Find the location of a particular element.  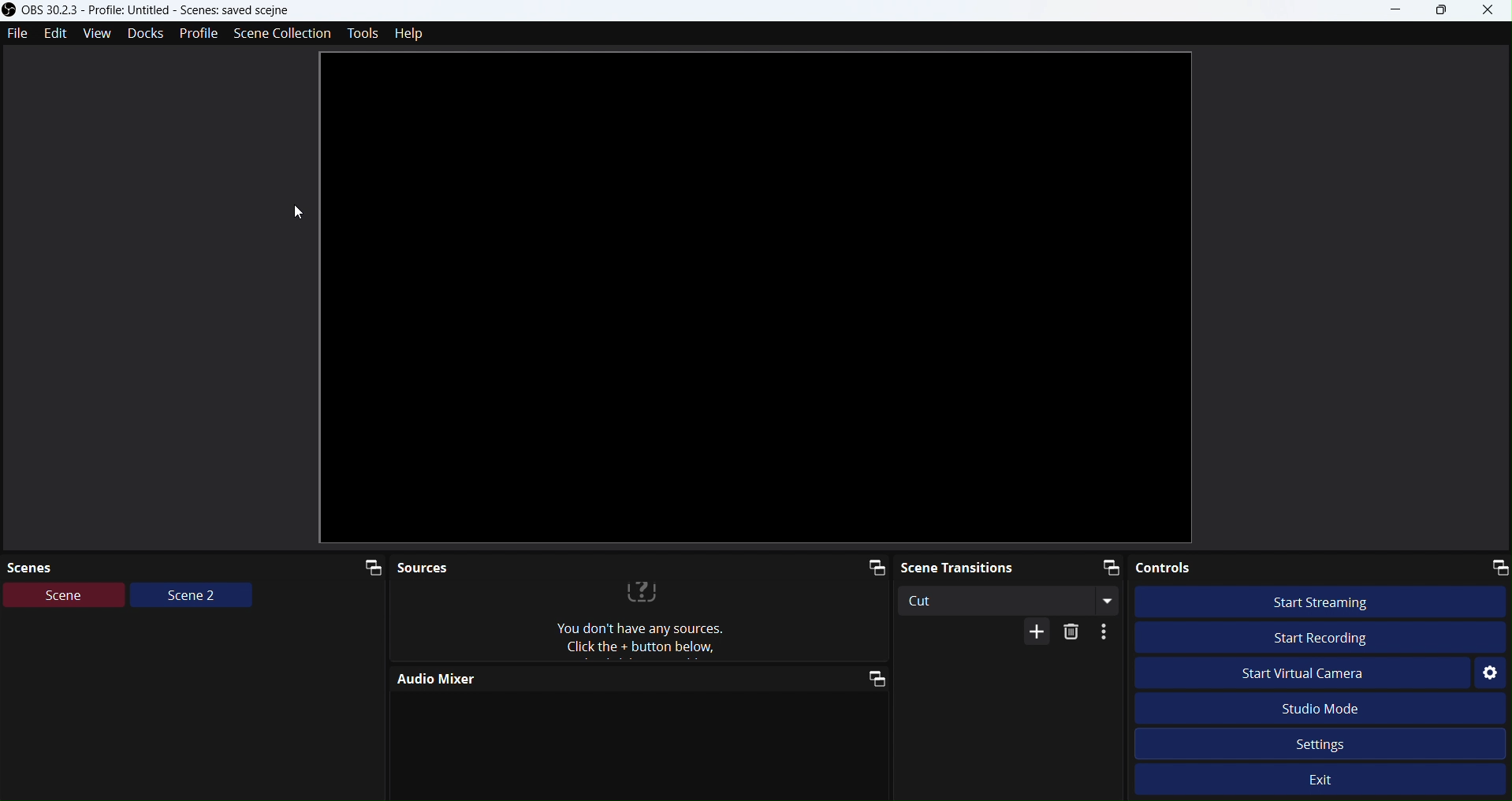

Start streaming is located at coordinates (1323, 601).